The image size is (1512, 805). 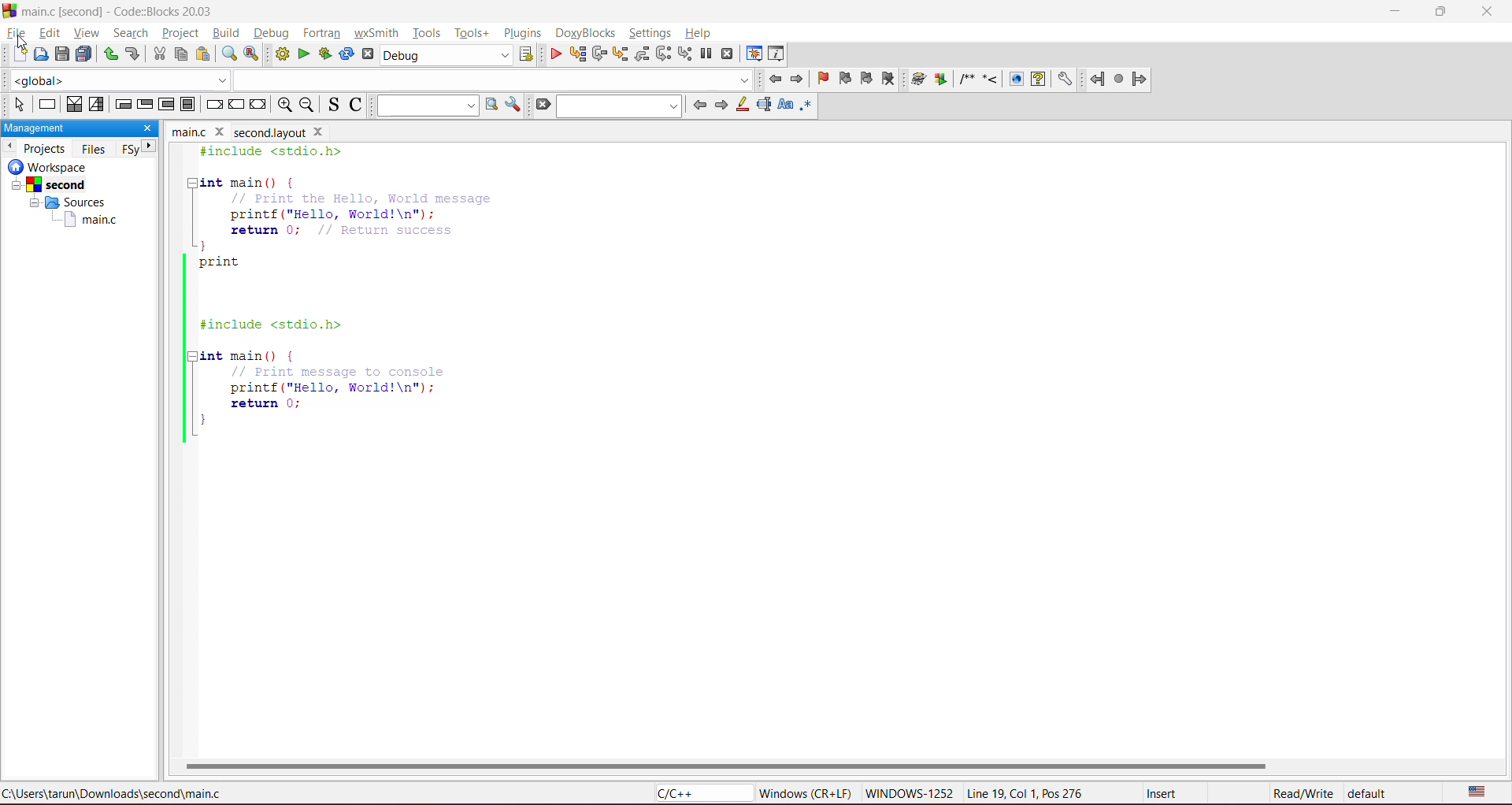 I want to click on save, so click(x=61, y=53).